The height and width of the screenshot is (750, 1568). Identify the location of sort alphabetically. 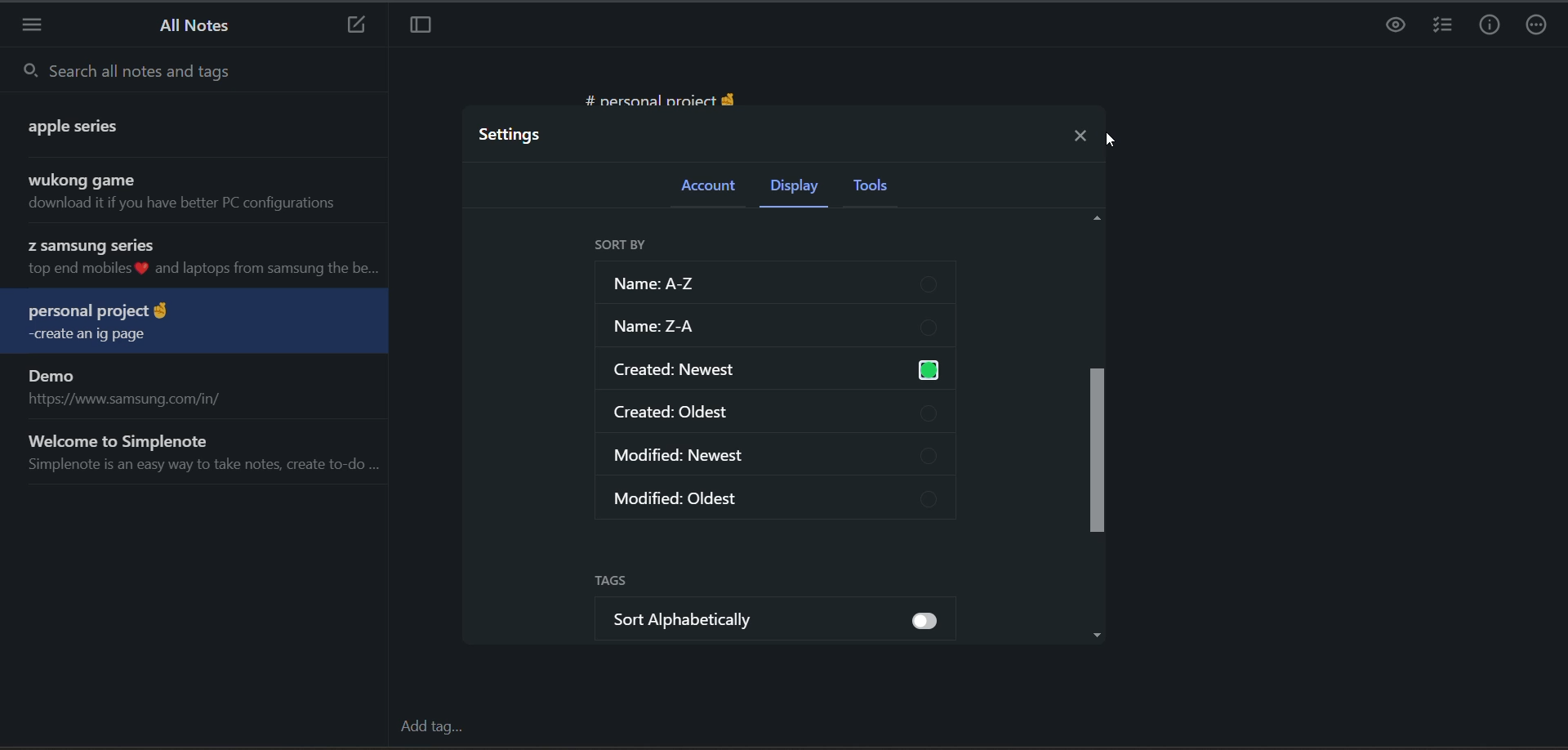
(784, 621).